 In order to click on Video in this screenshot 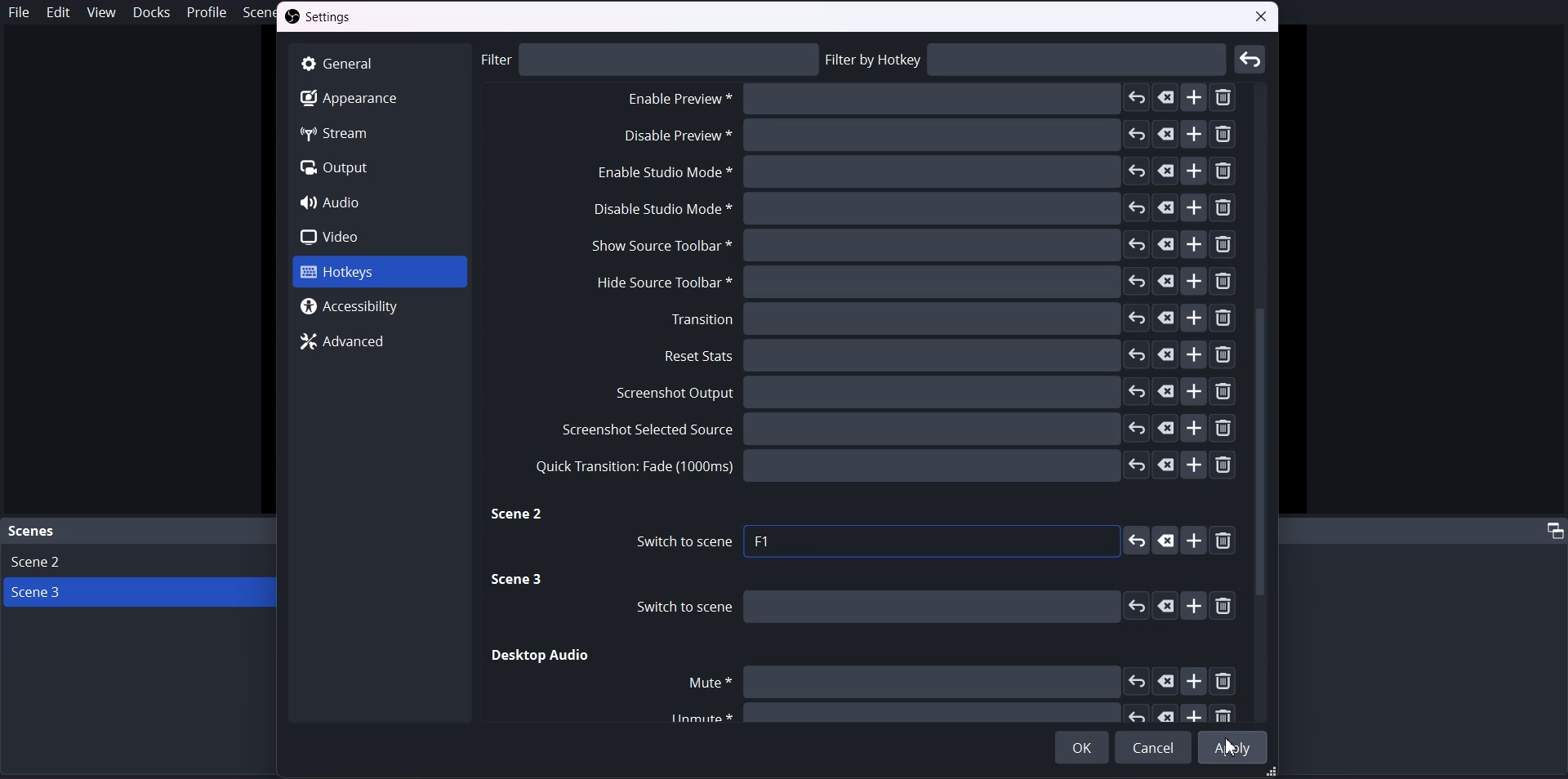, I will do `click(379, 236)`.